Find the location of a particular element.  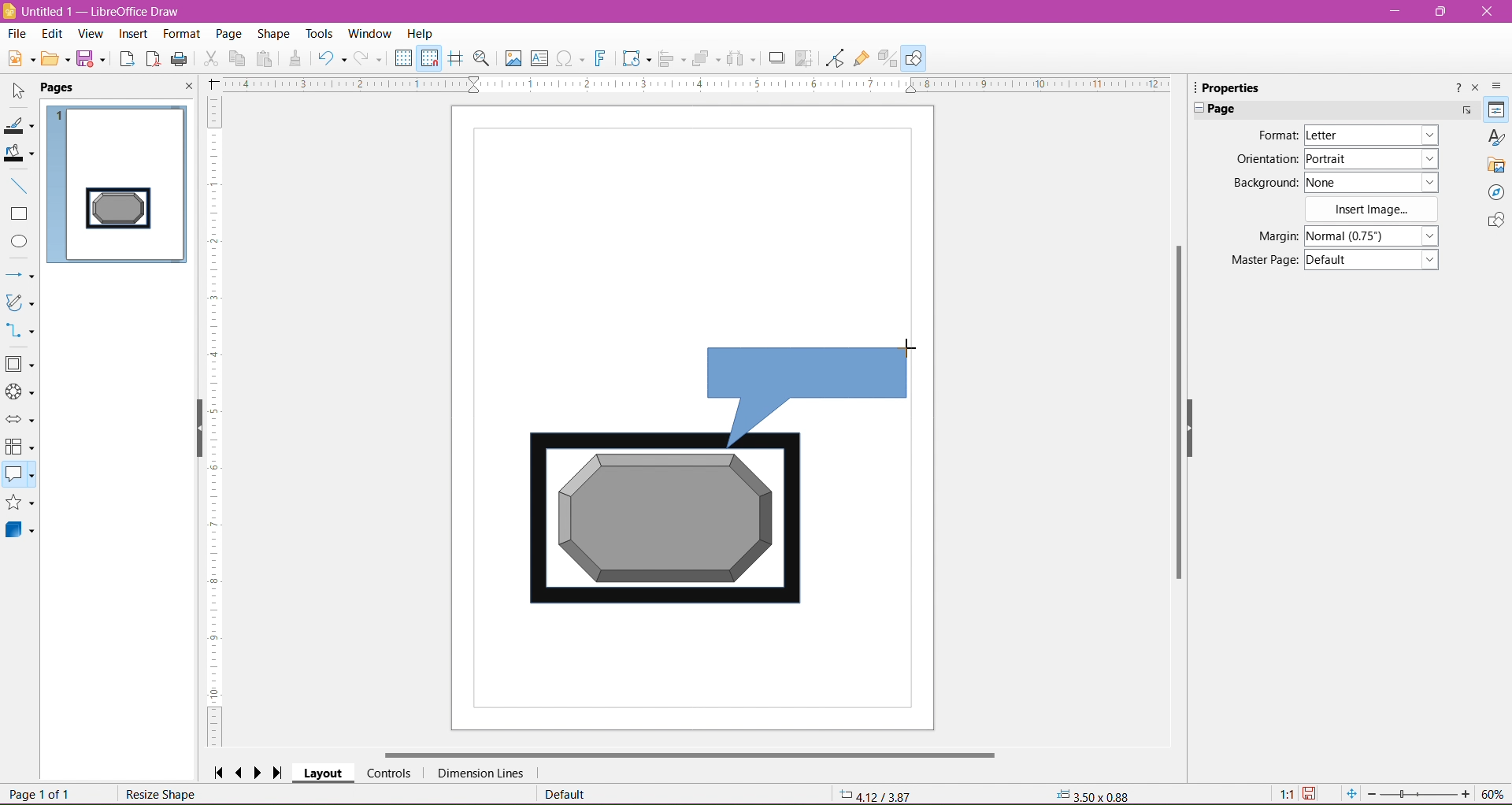

4.12/3.78 is located at coordinates (884, 793).